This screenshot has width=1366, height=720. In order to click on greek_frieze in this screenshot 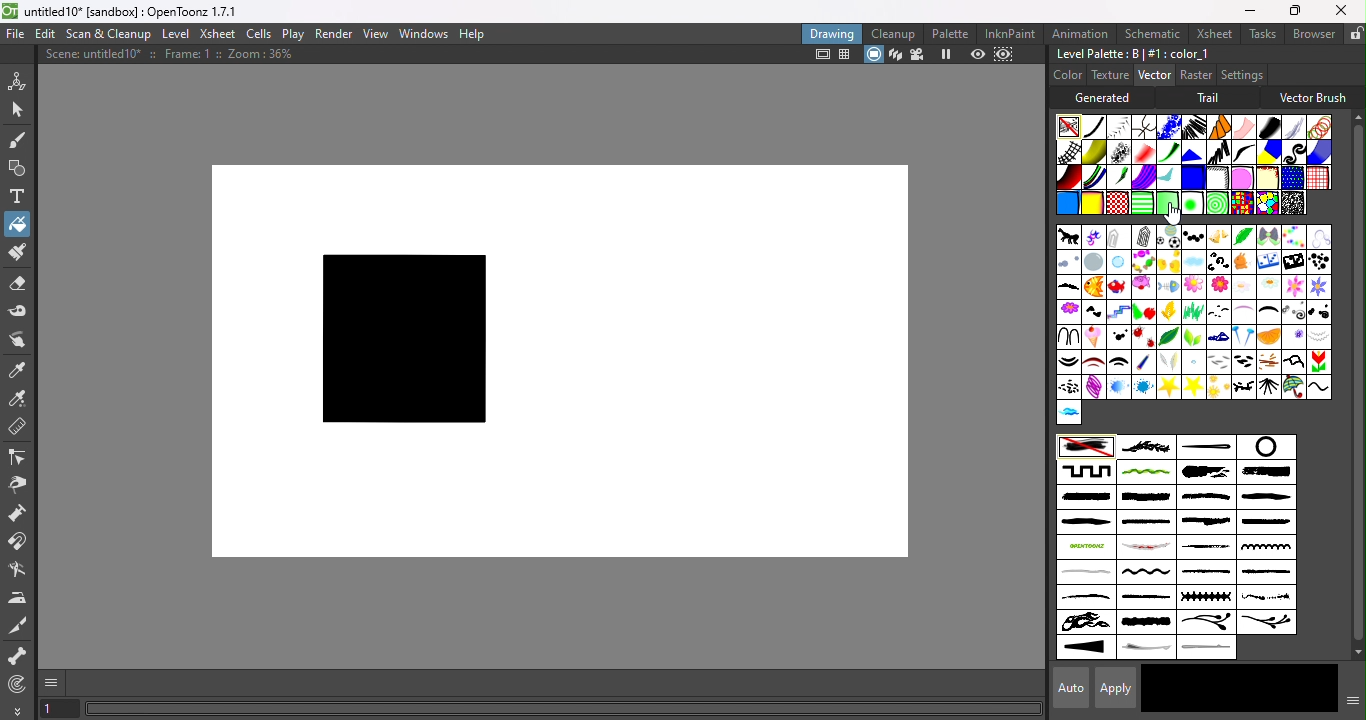, I will do `click(1086, 471)`.